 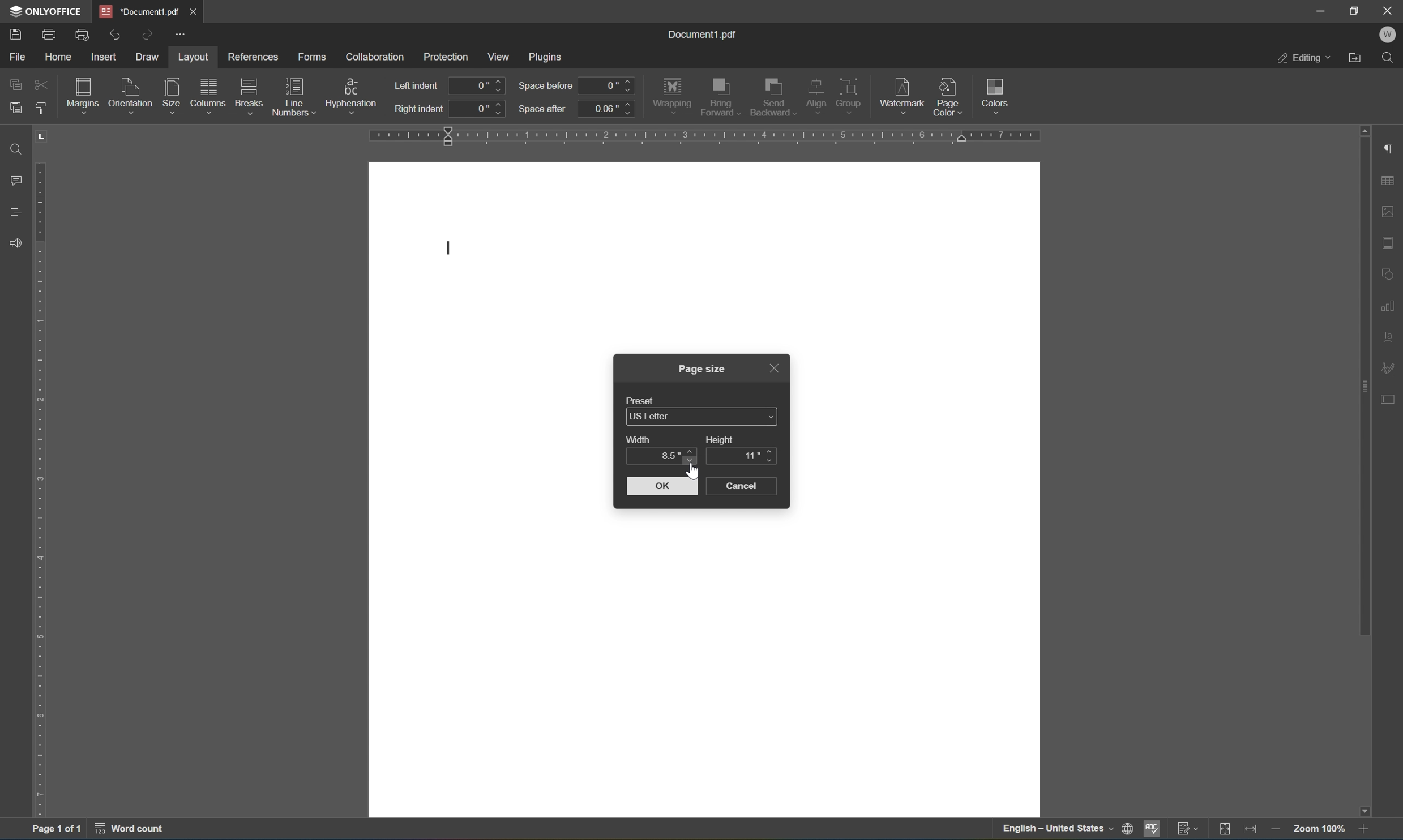 I want to click on layout, so click(x=192, y=55).